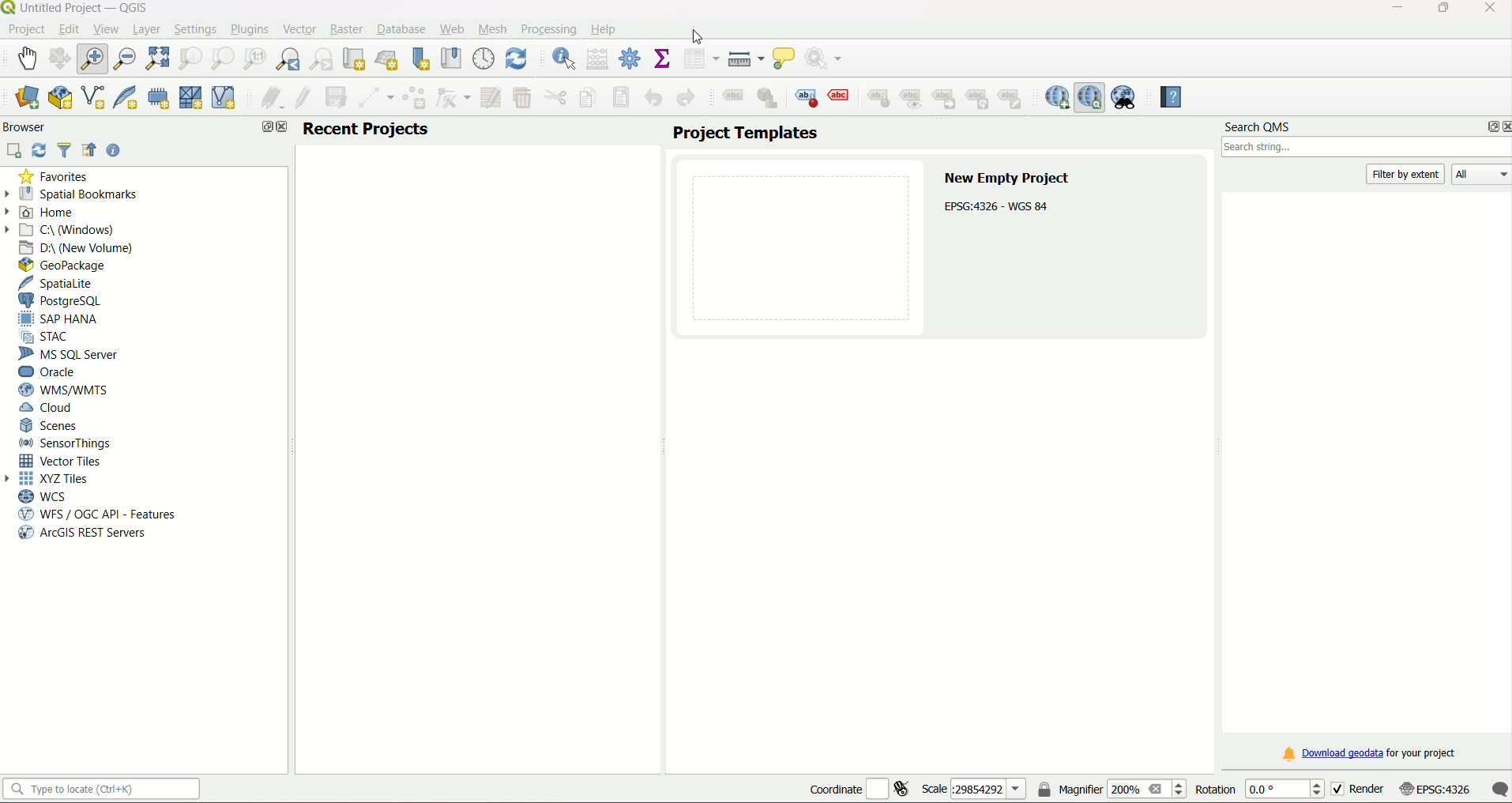 The image size is (1512, 803). Describe the element at coordinates (248, 30) in the screenshot. I see `Plugins` at that location.